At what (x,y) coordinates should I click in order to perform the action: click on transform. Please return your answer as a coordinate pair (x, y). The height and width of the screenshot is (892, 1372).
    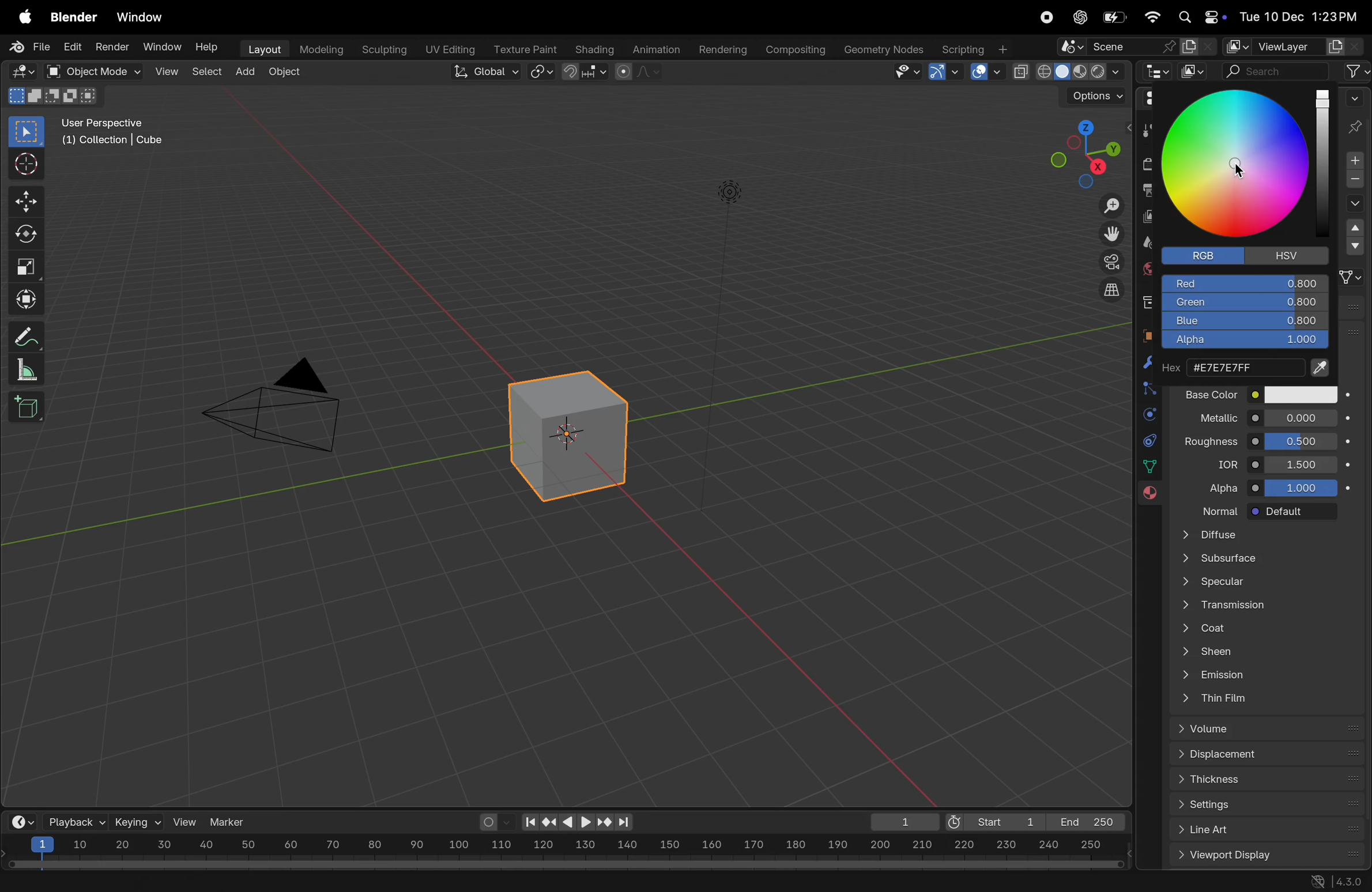
    Looking at the image, I should click on (24, 297).